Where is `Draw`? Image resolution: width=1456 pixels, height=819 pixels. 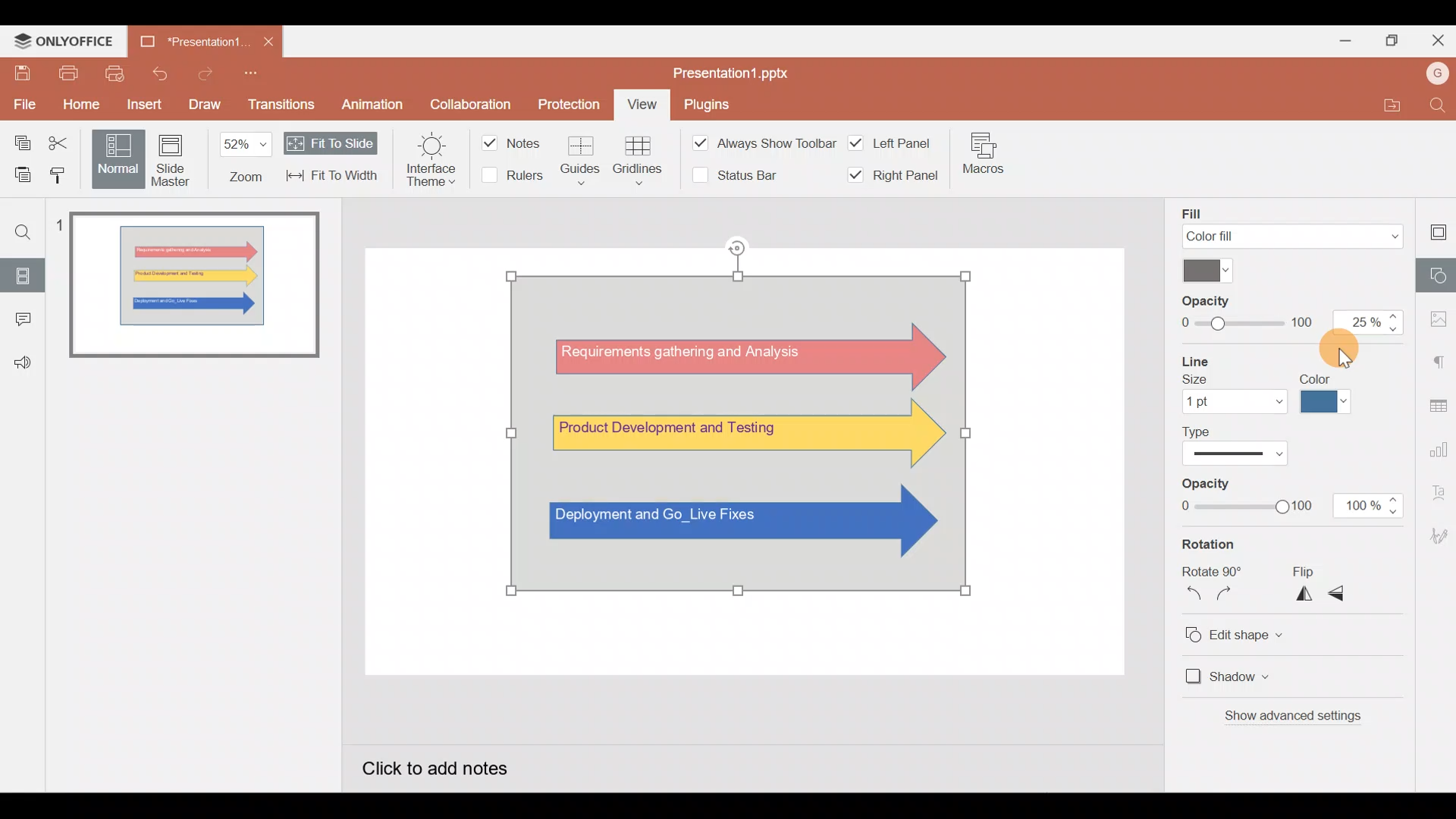
Draw is located at coordinates (205, 102).